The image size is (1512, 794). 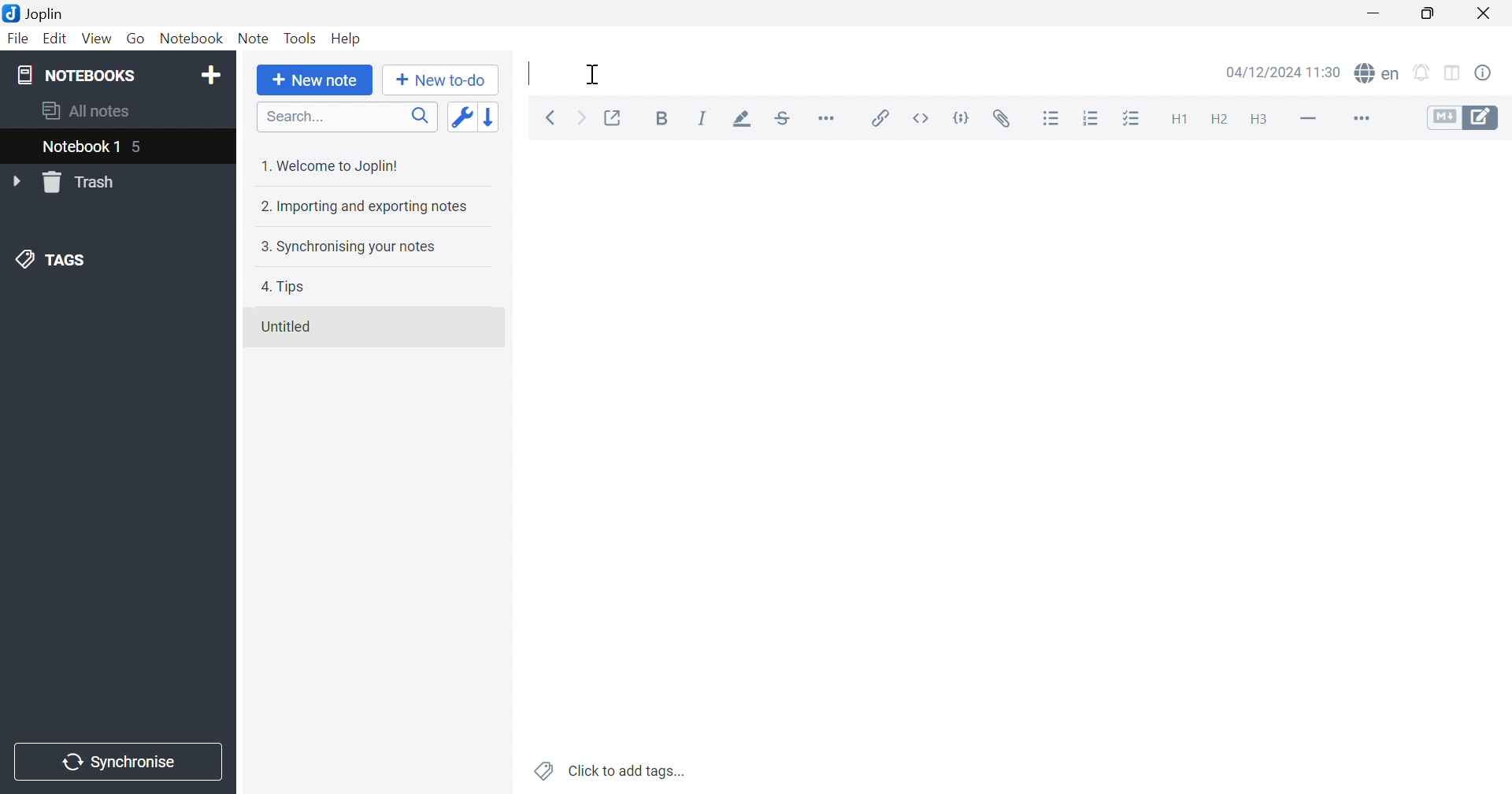 I want to click on NOTEBOOKS, so click(x=73, y=73).